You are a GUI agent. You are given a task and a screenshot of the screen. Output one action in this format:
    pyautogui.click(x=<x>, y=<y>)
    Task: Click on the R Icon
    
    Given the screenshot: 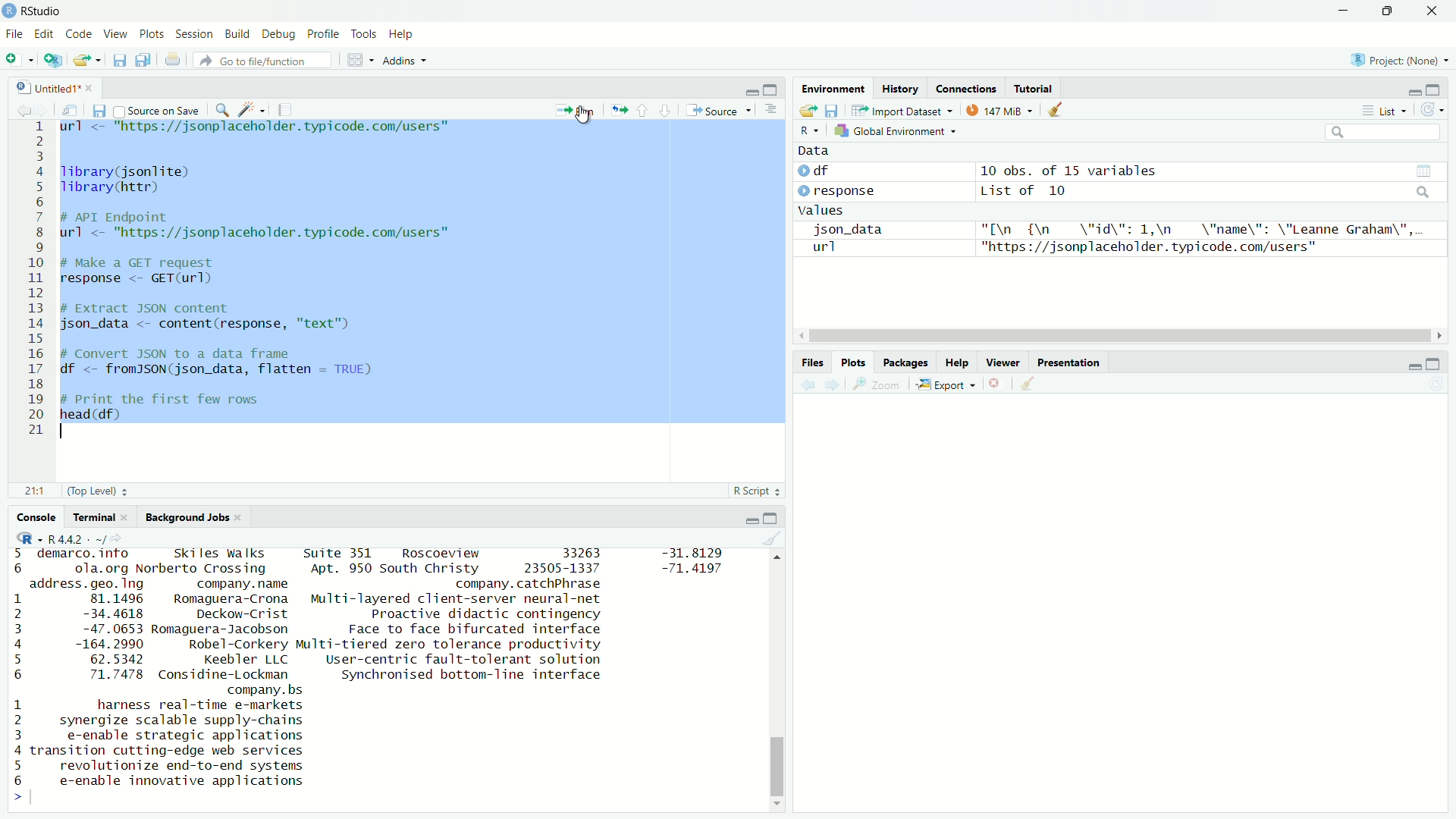 What is the action you would take?
    pyautogui.click(x=28, y=538)
    